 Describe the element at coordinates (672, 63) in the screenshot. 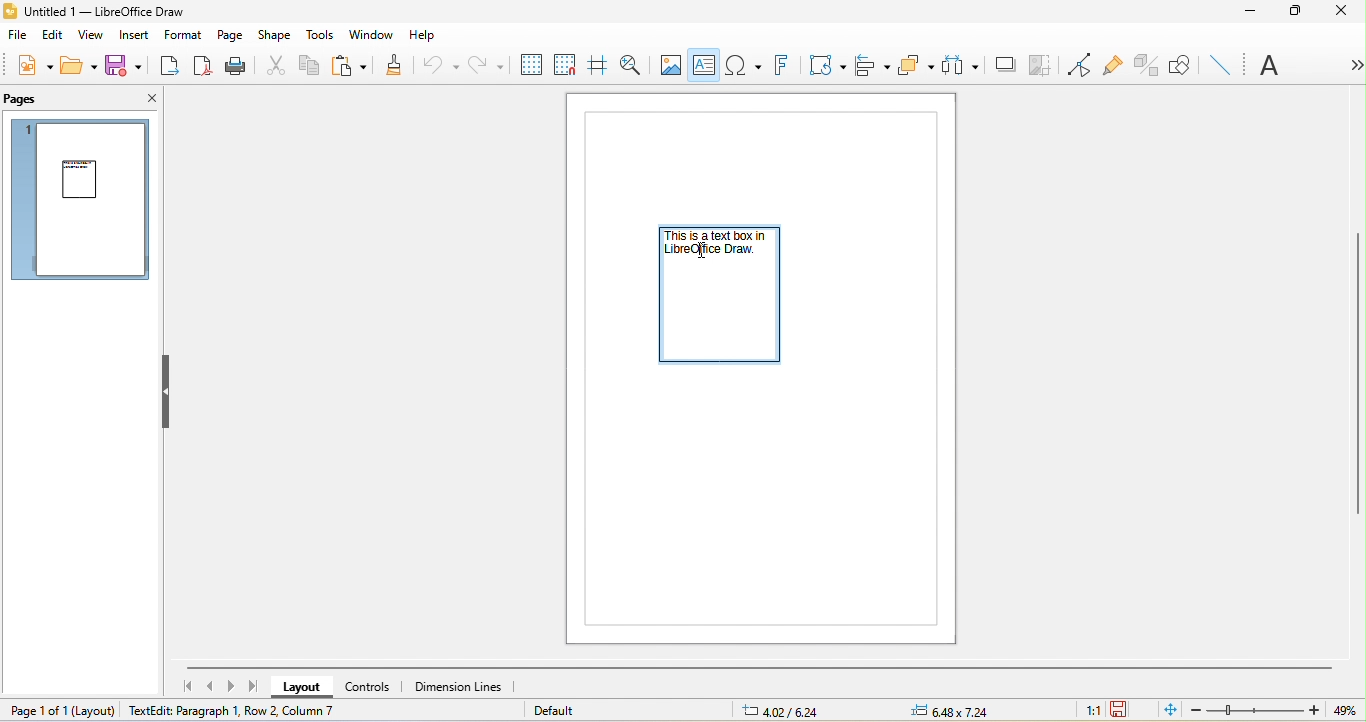

I see `image` at that location.